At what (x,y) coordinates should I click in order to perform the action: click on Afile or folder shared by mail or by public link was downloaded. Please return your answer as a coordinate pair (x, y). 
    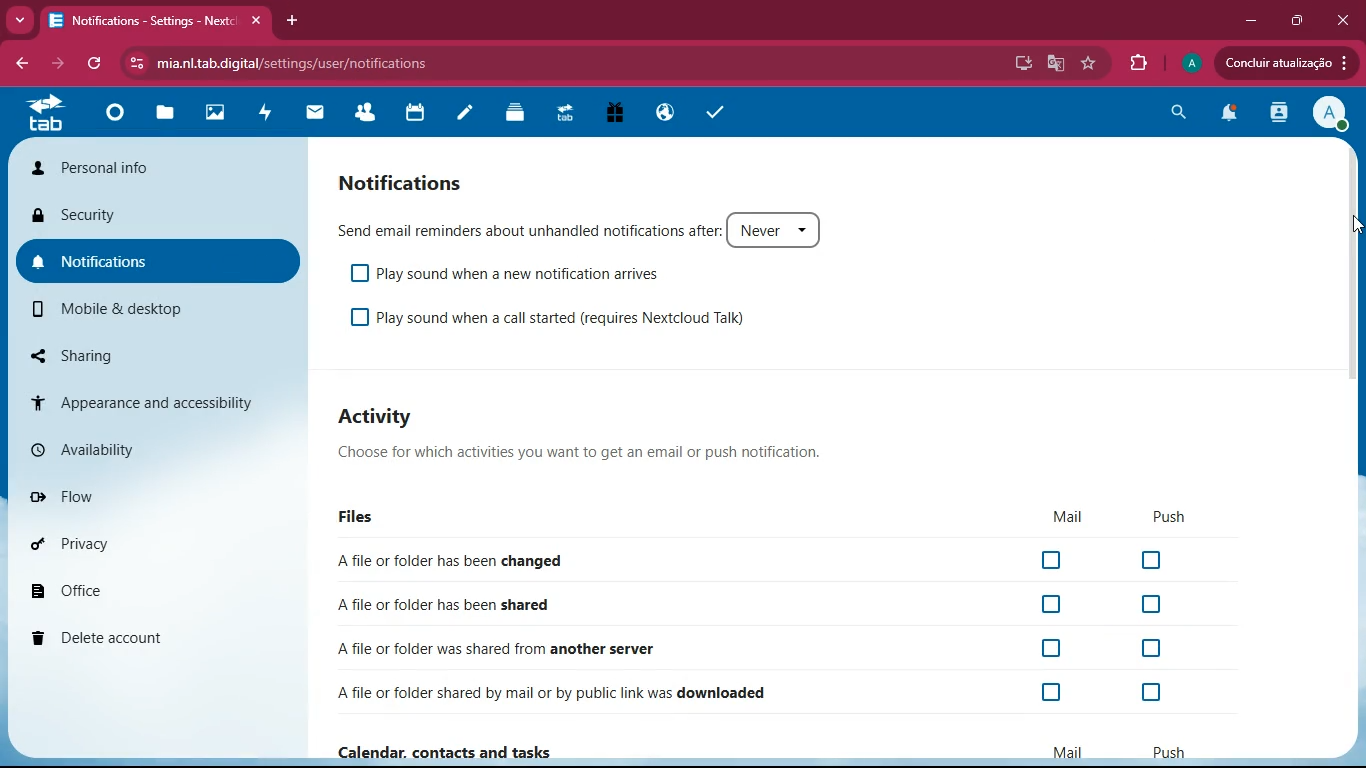
    Looking at the image, I should click on (555, 694).